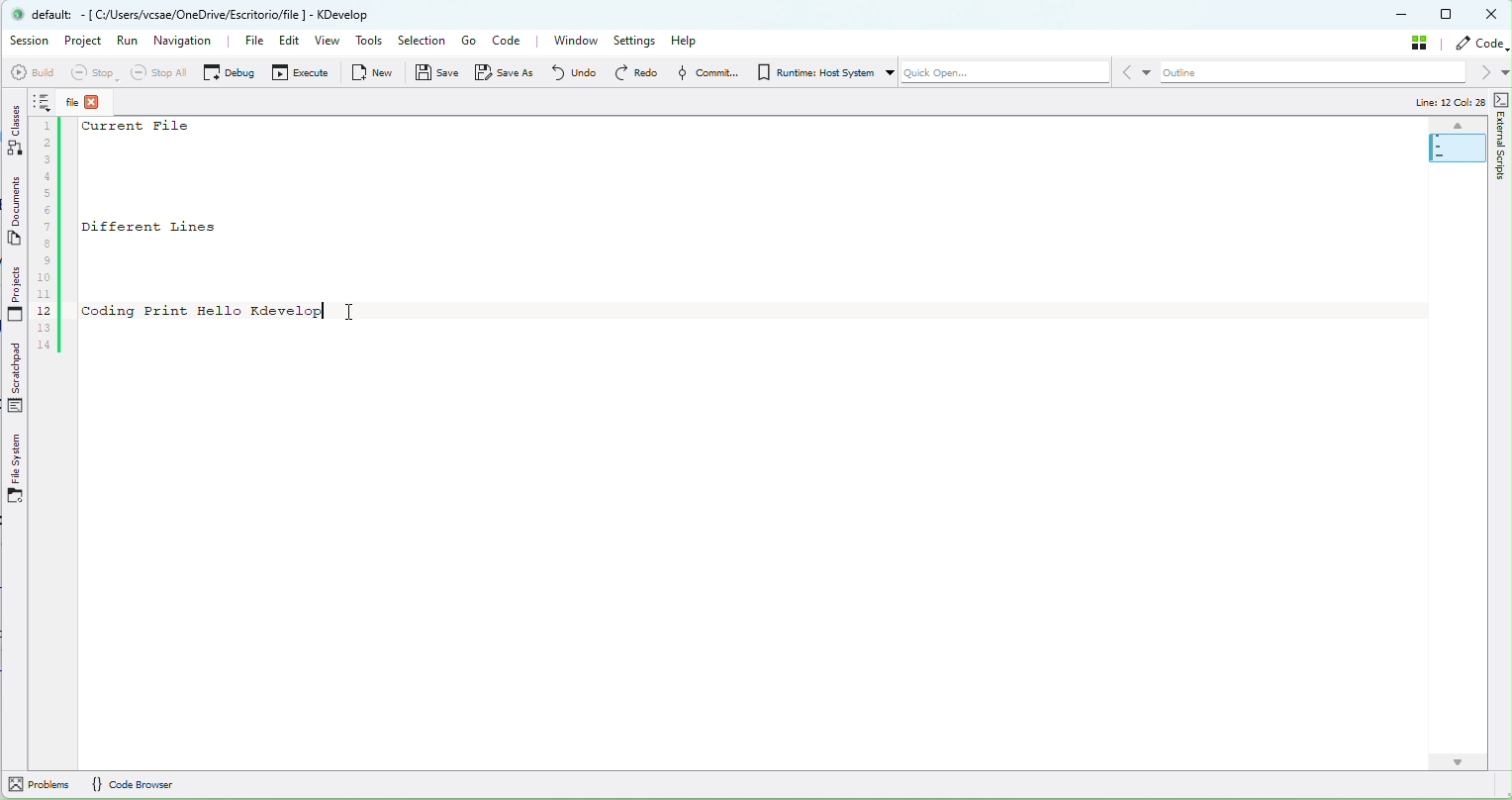  I want to click on Maximize, so click(1448, 14).